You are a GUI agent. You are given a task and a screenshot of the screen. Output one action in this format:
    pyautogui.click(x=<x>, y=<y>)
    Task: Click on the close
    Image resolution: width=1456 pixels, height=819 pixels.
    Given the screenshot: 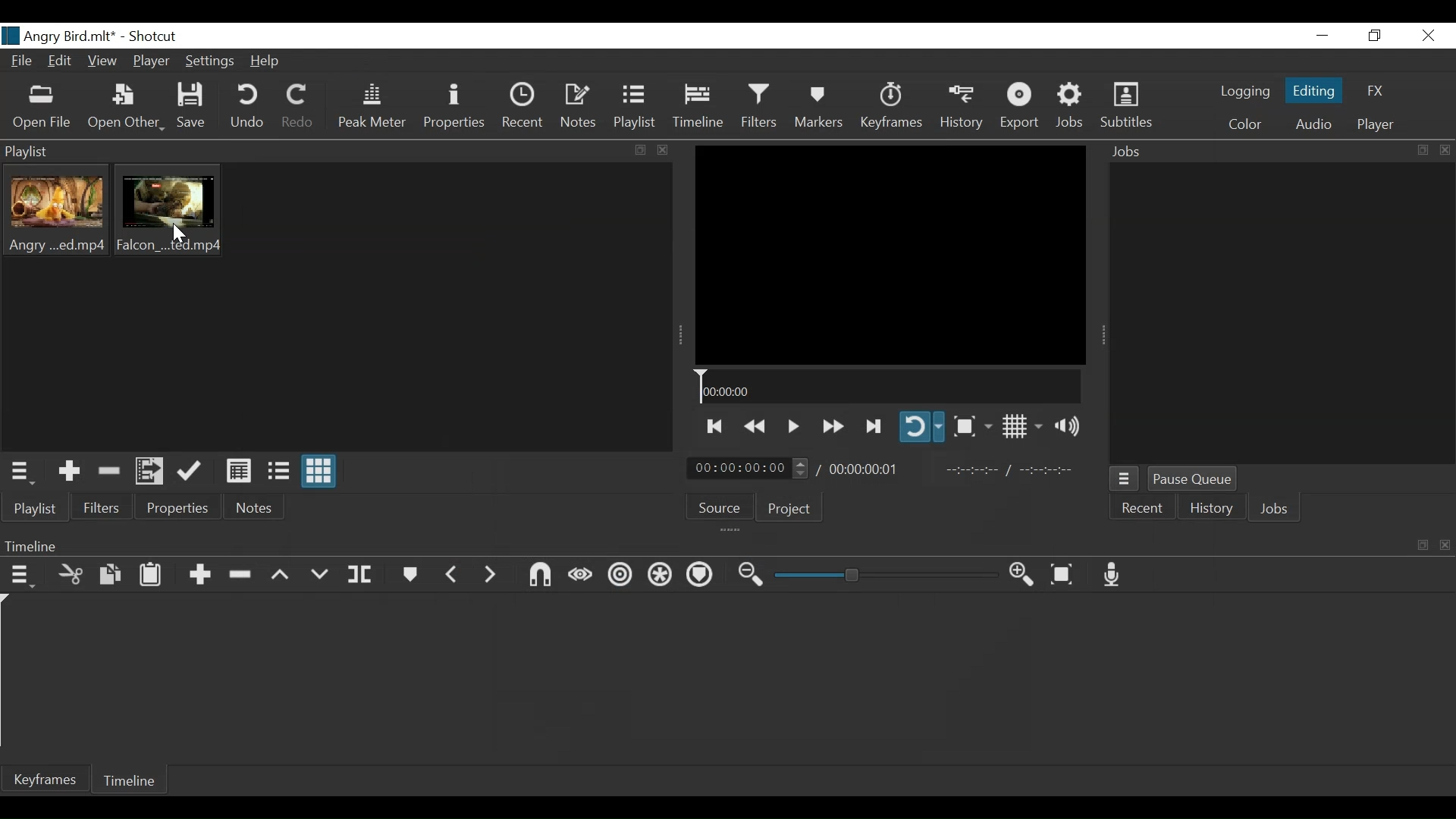 What is the action you would take?
    pyautogui.click(x=1442, y=546)
    